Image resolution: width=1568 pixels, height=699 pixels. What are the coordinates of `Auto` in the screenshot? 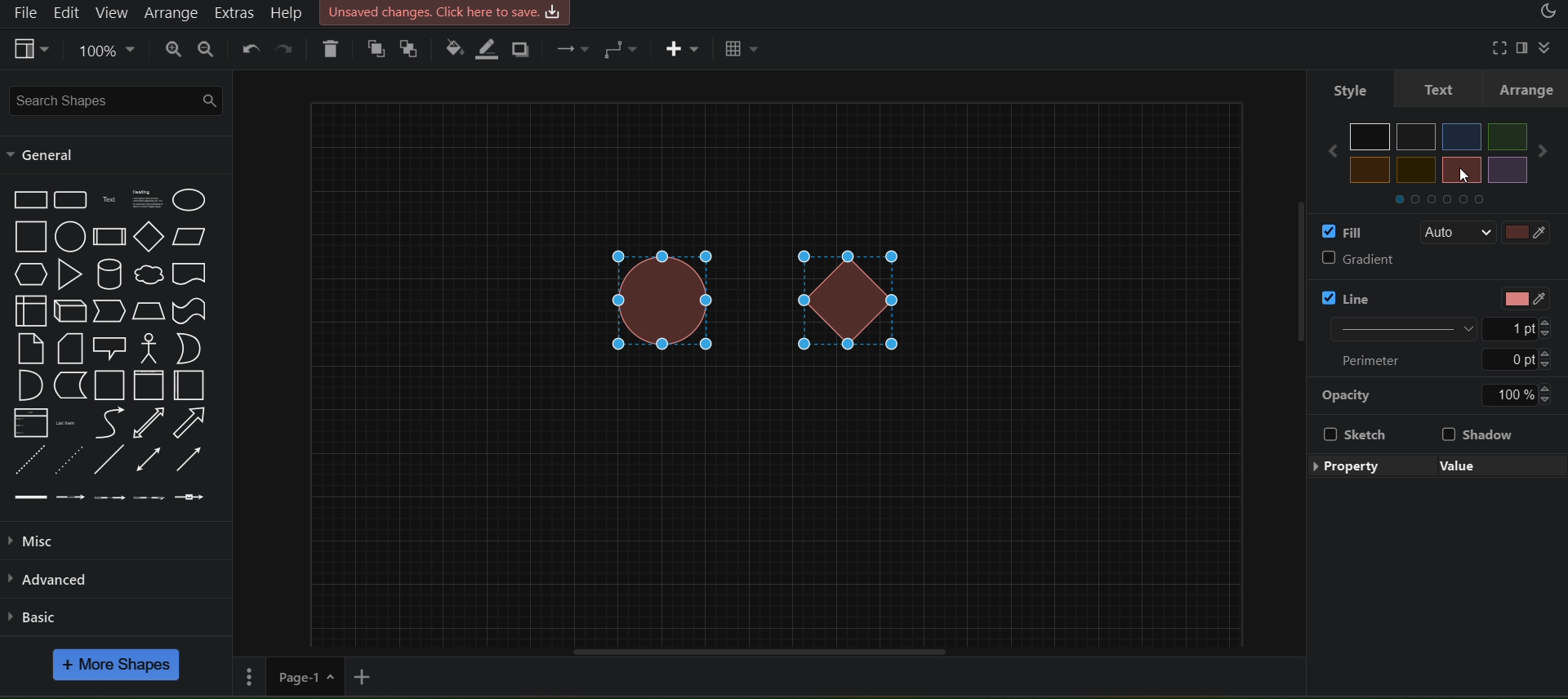 It's located at (1450, 230).